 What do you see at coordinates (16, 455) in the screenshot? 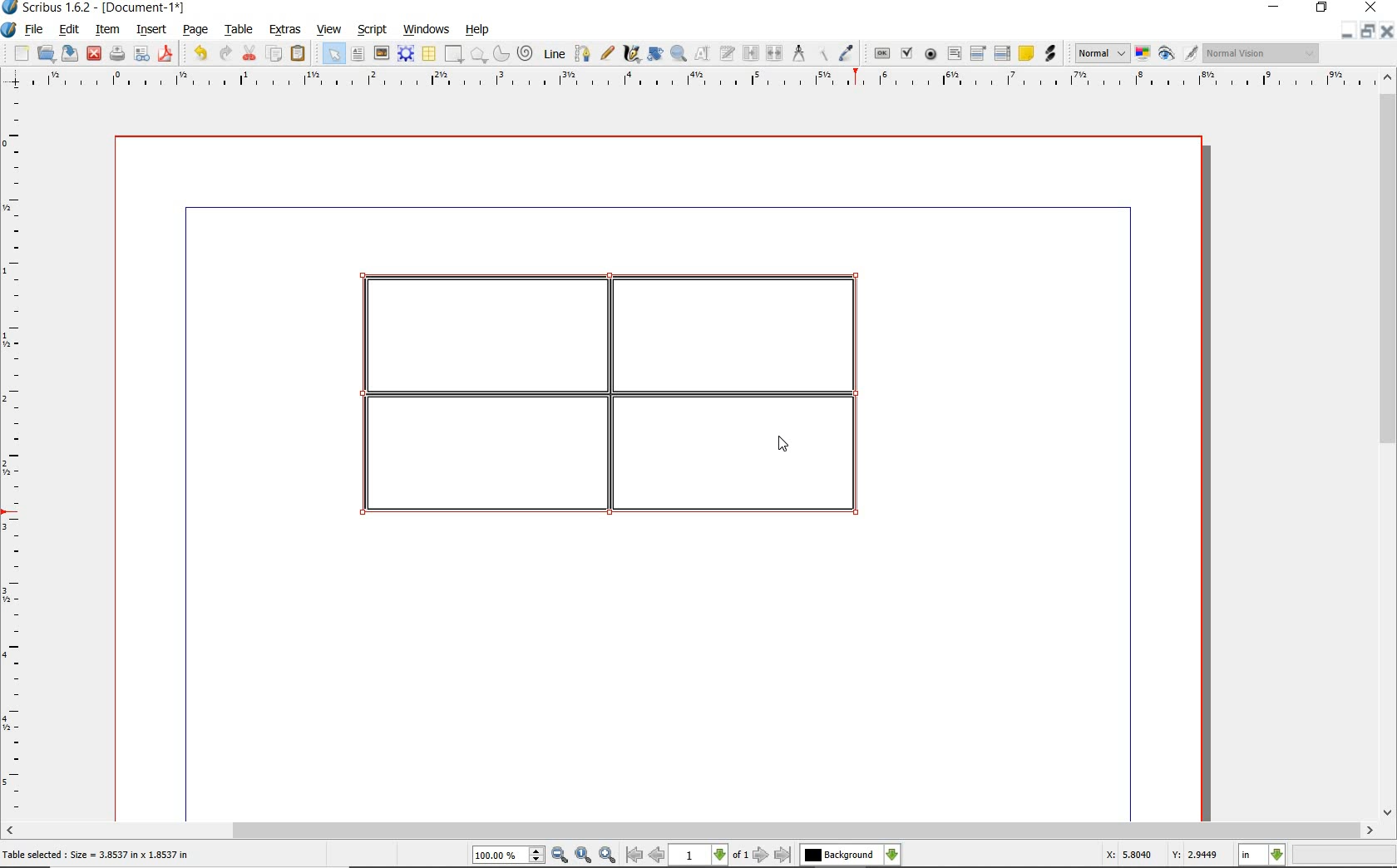
I see `ruler` at bounding box center [16, 455].